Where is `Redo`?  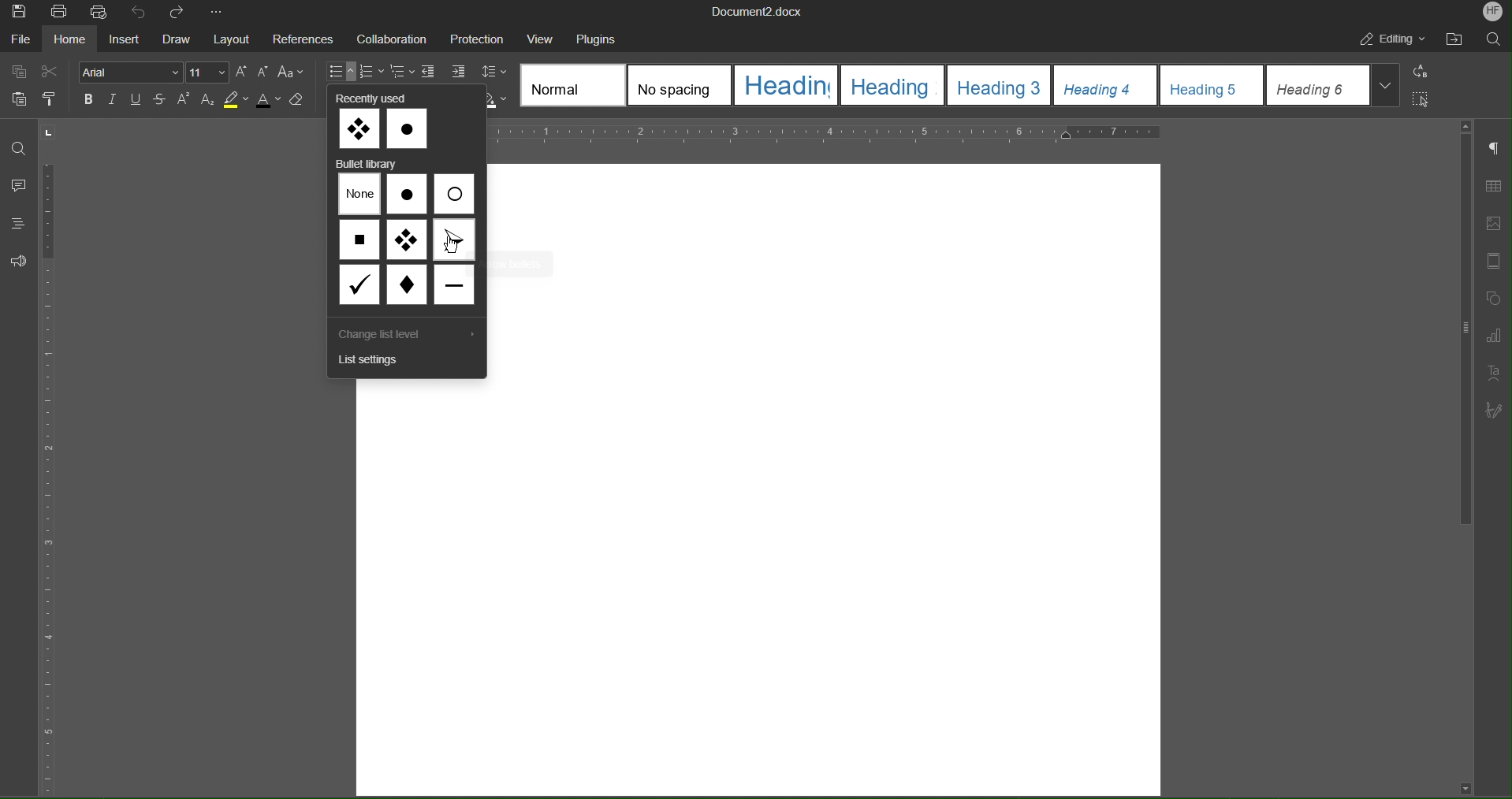 Redo is located at coordinates (180, 13).